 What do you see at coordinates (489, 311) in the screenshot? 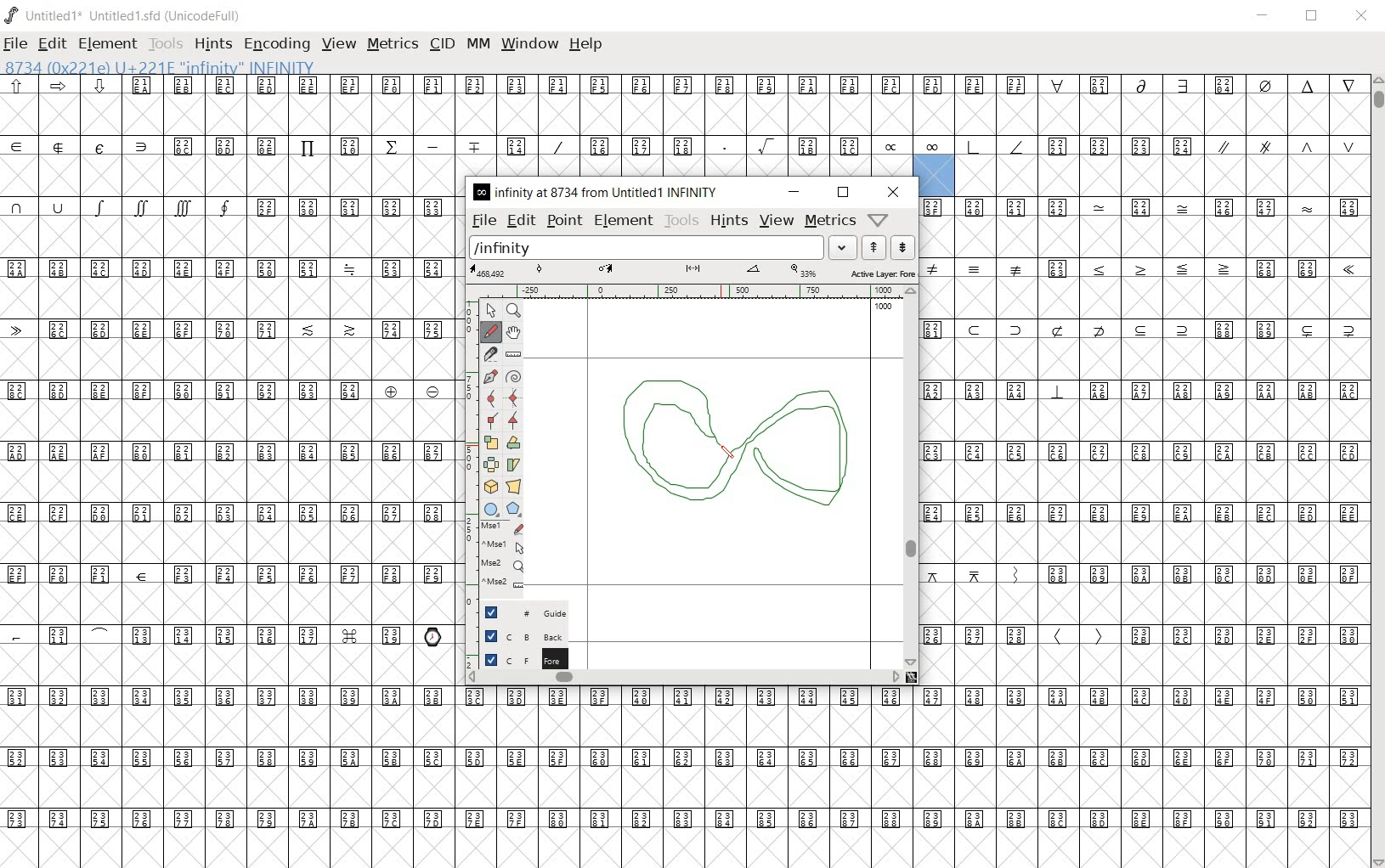
I see `POINTER` at bounding box center [489, 311].